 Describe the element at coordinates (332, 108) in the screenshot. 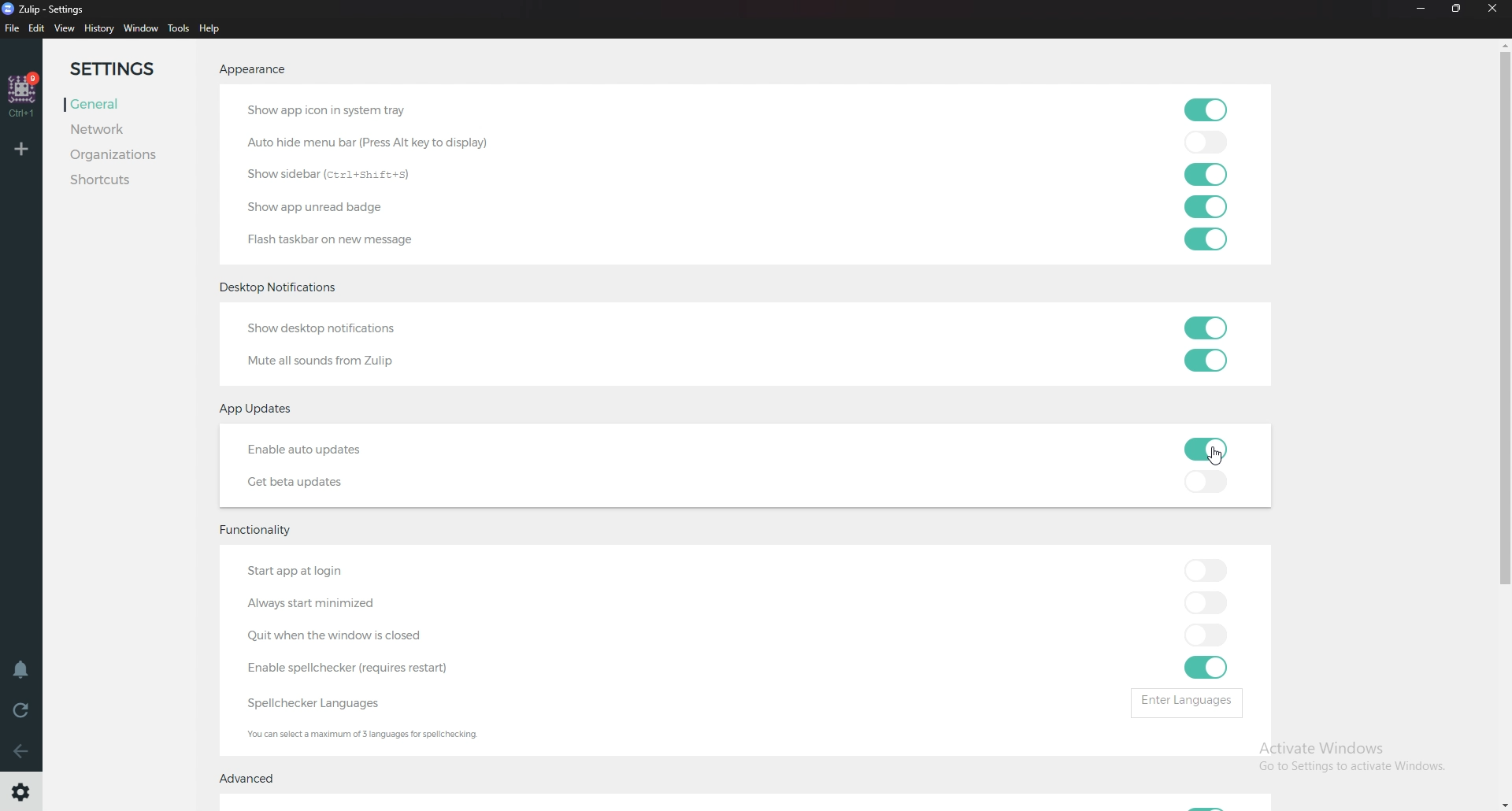

I see `Show app icon in system tray` at that location.